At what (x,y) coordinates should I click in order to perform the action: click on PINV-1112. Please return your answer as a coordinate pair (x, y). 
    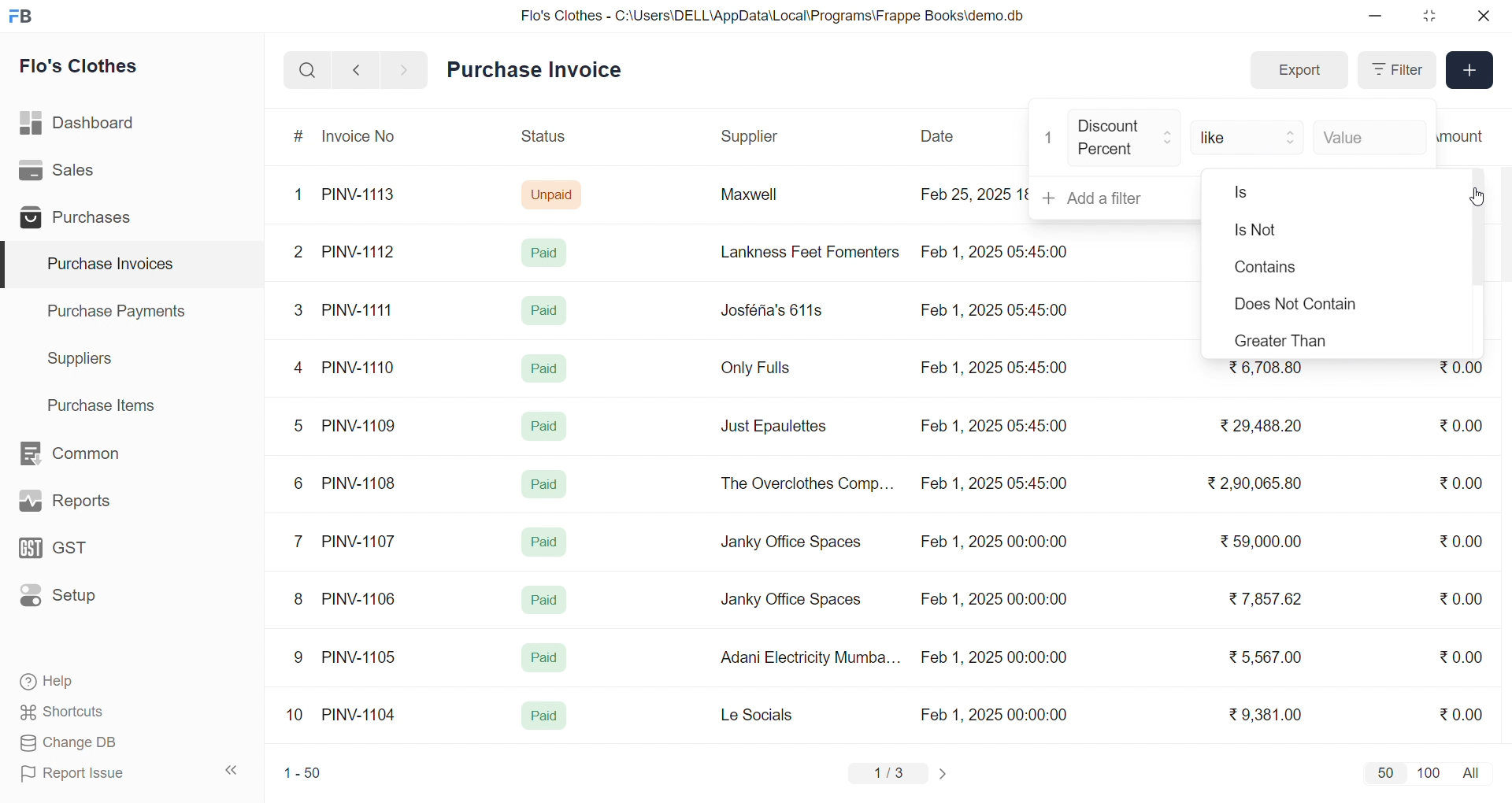
    Looking at the image, I should click on (358, 253).